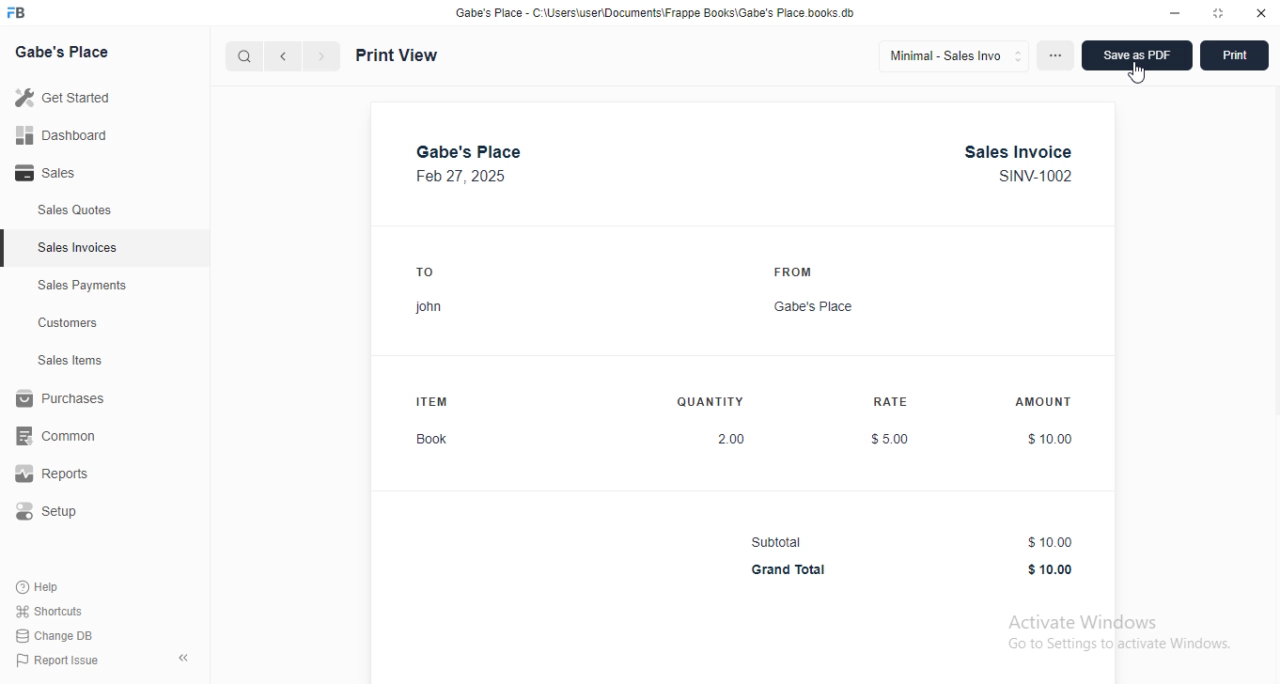  What do you see at coordinates (82, 285) in the screenshot?
I see `sales payments` at bounding box center [82, 285].